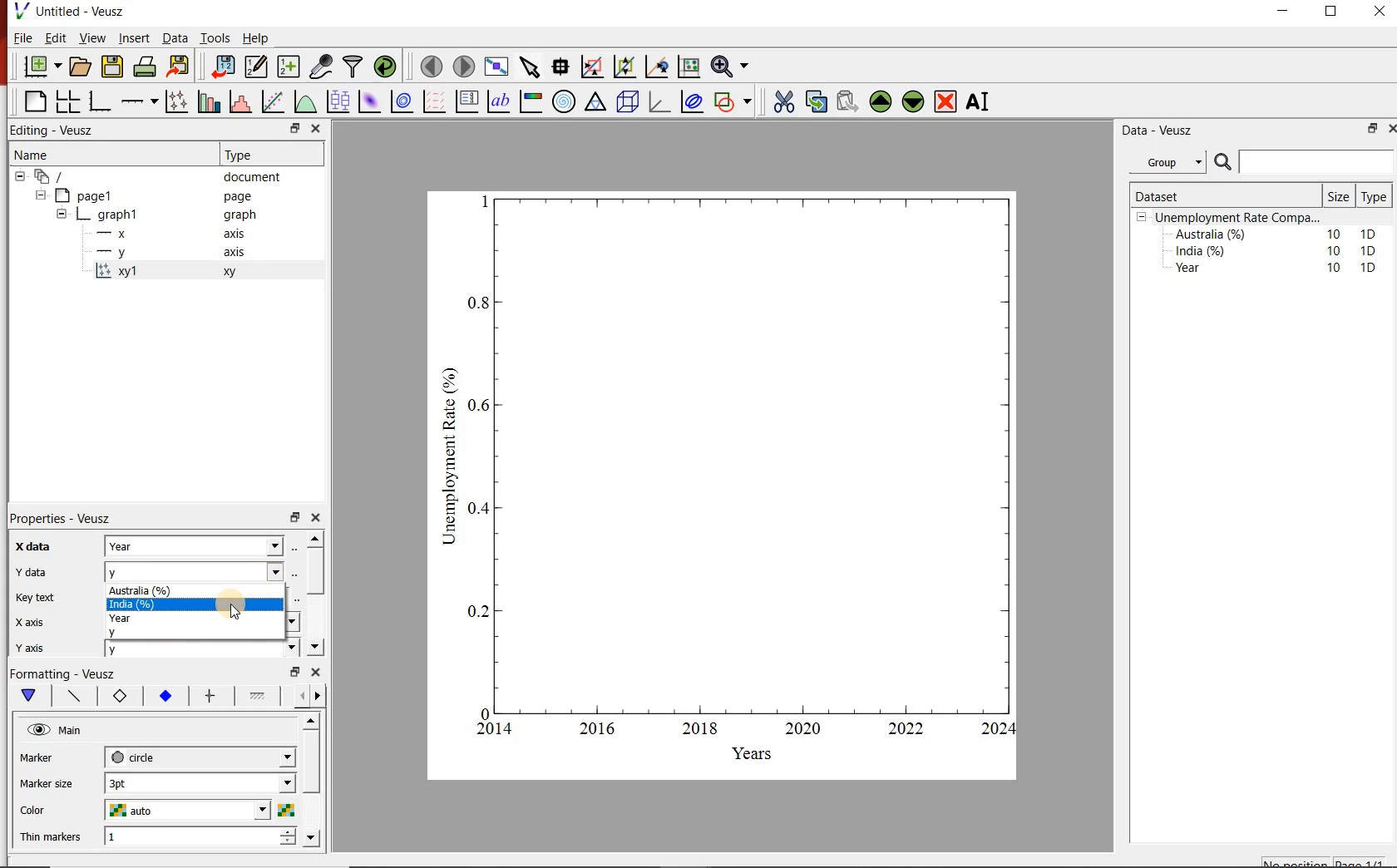 This screenshot has width=1397, height=868. What do you see at coordinates (34, 100) in the screenshot?
I see `blank page` at bounding box center [34, 100].